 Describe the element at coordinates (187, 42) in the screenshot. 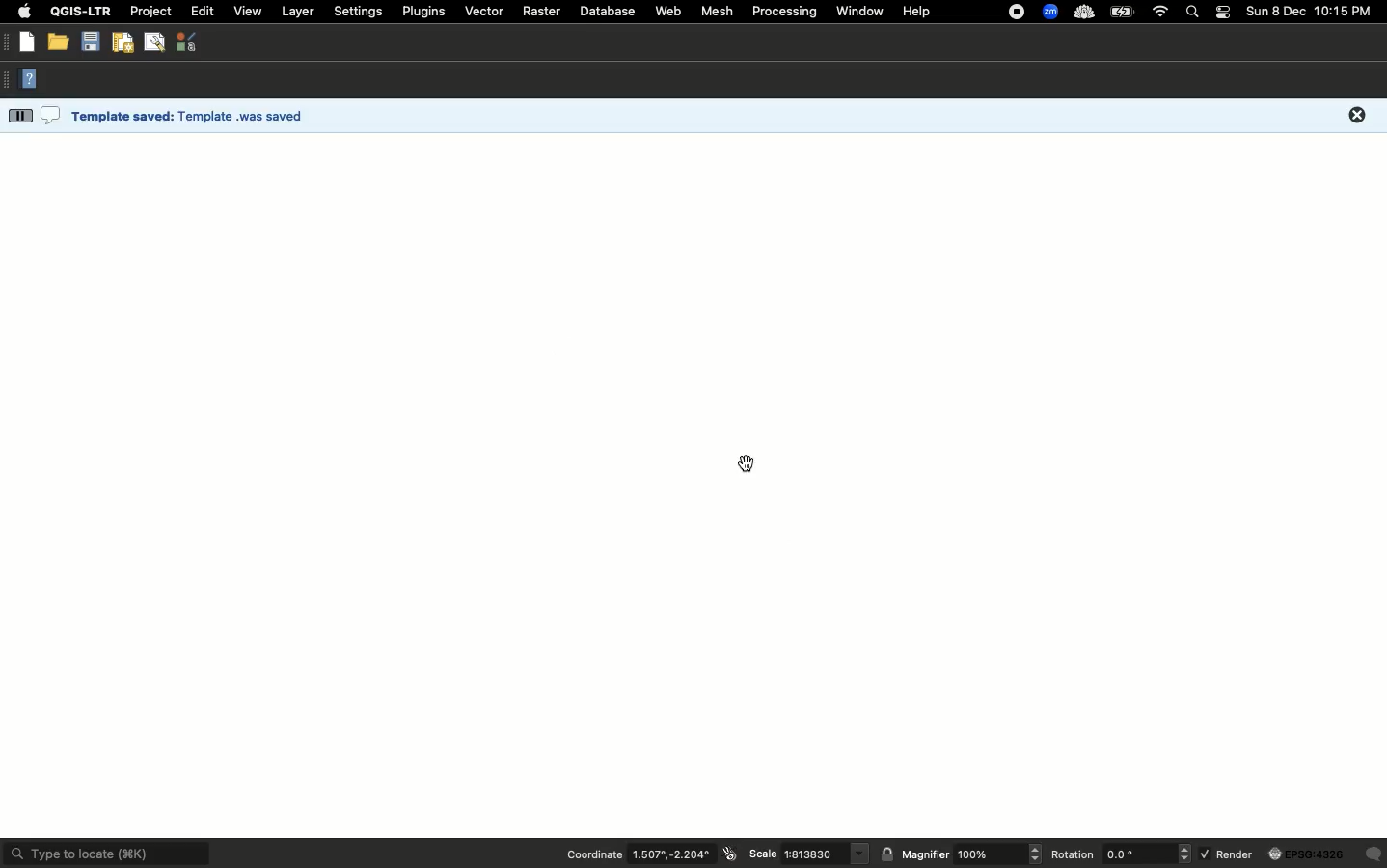

I see `Style manager ` at that location.